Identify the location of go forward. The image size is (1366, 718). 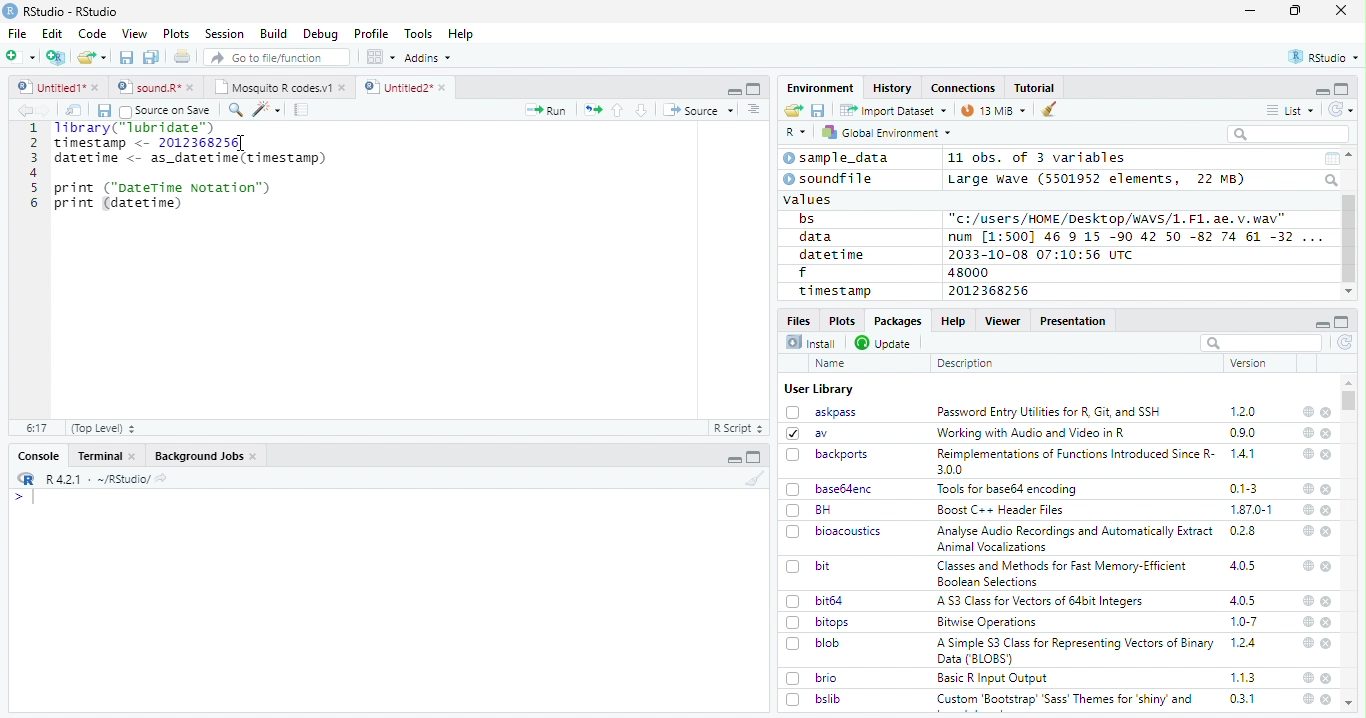
(48, 110).